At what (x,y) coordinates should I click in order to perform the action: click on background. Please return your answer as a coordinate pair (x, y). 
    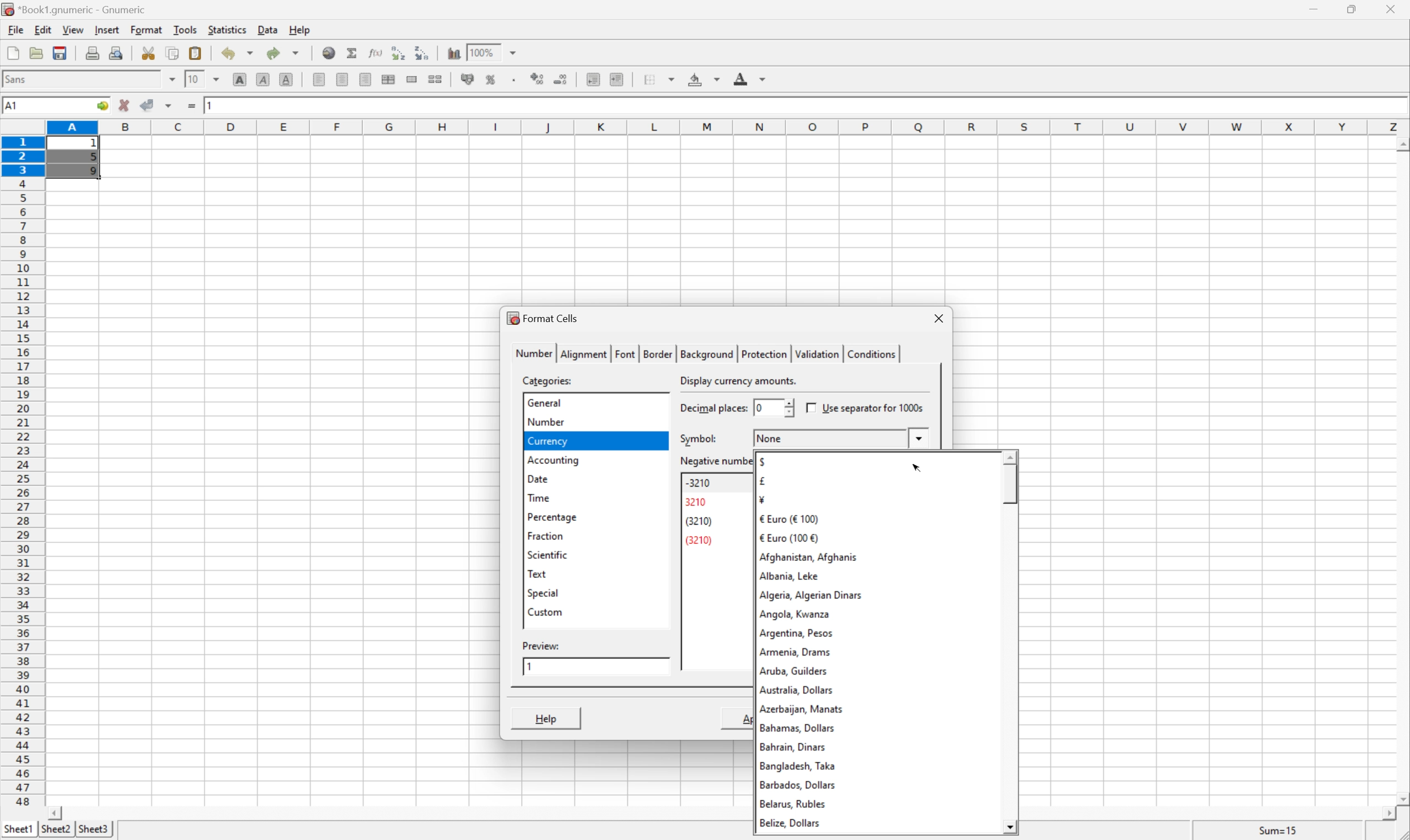
    Looking at the image, I should click on (705, 354).